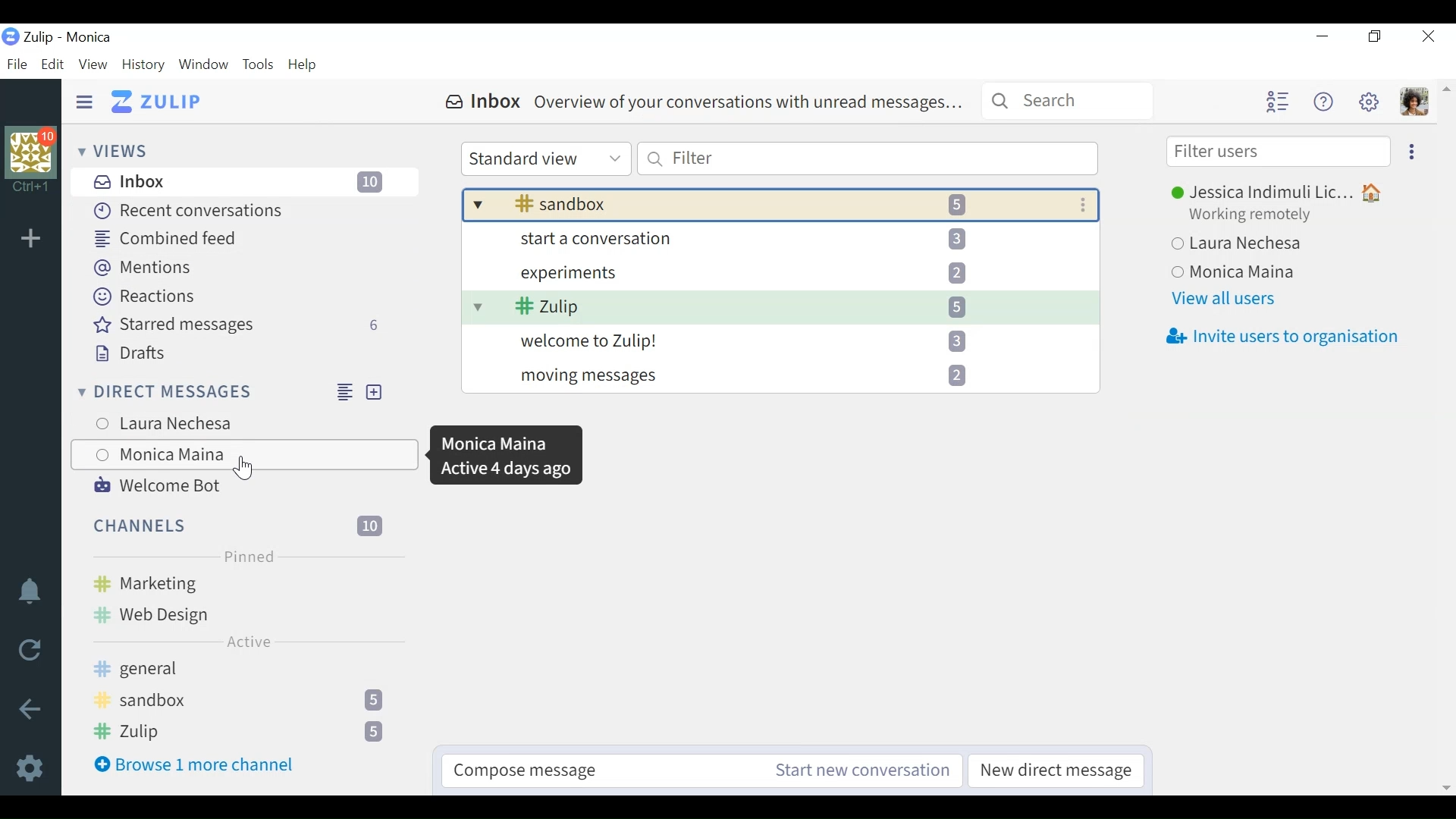 This screenshot has height=819, width=1456. Describe the element at coordinates (1286, 337) in the screenshot. I see `Invite users to organisation` at that location.